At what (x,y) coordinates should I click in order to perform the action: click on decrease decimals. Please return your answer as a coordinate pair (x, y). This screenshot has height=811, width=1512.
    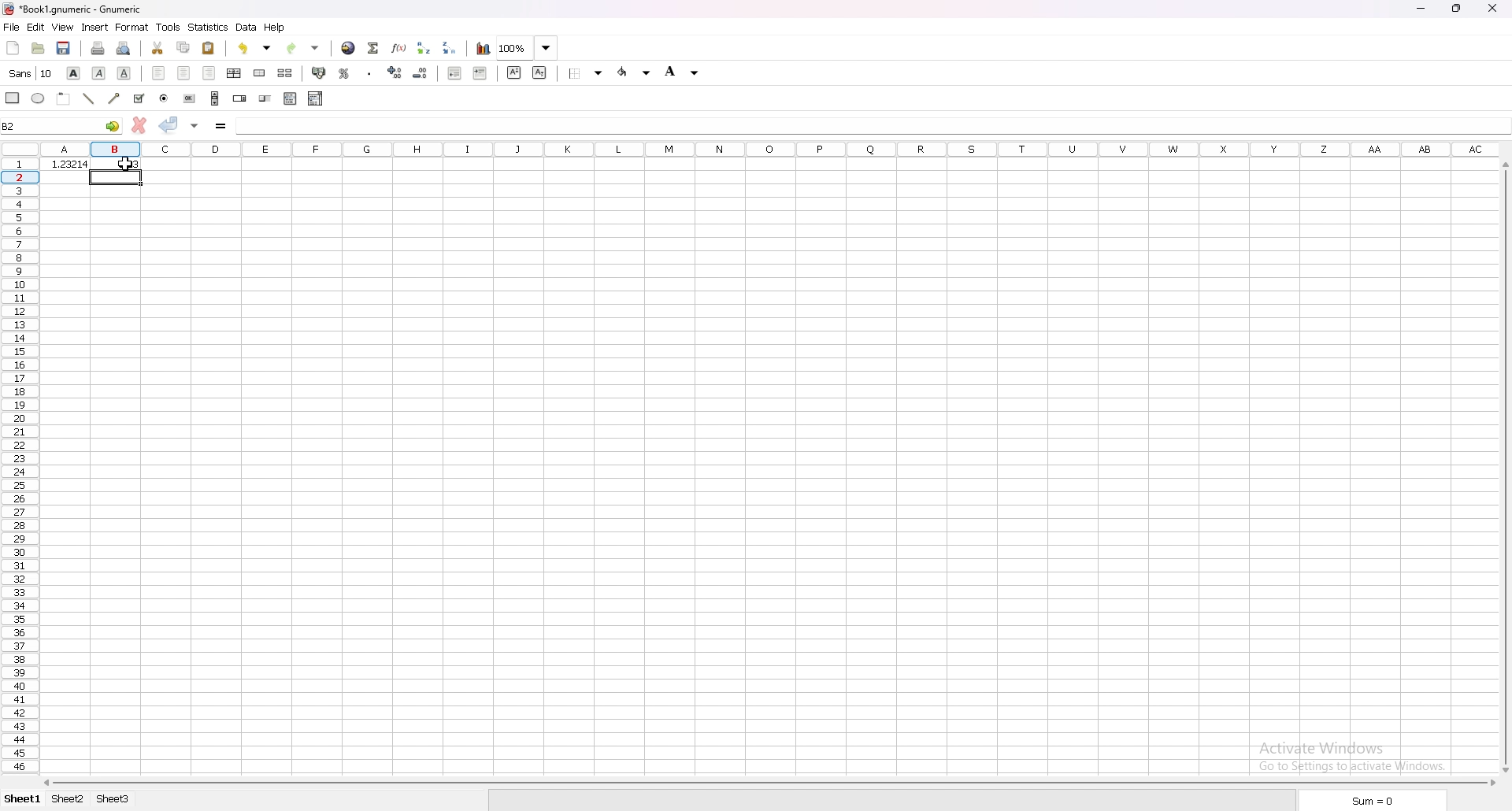
    Looking at the image, I should click on (421, 72).